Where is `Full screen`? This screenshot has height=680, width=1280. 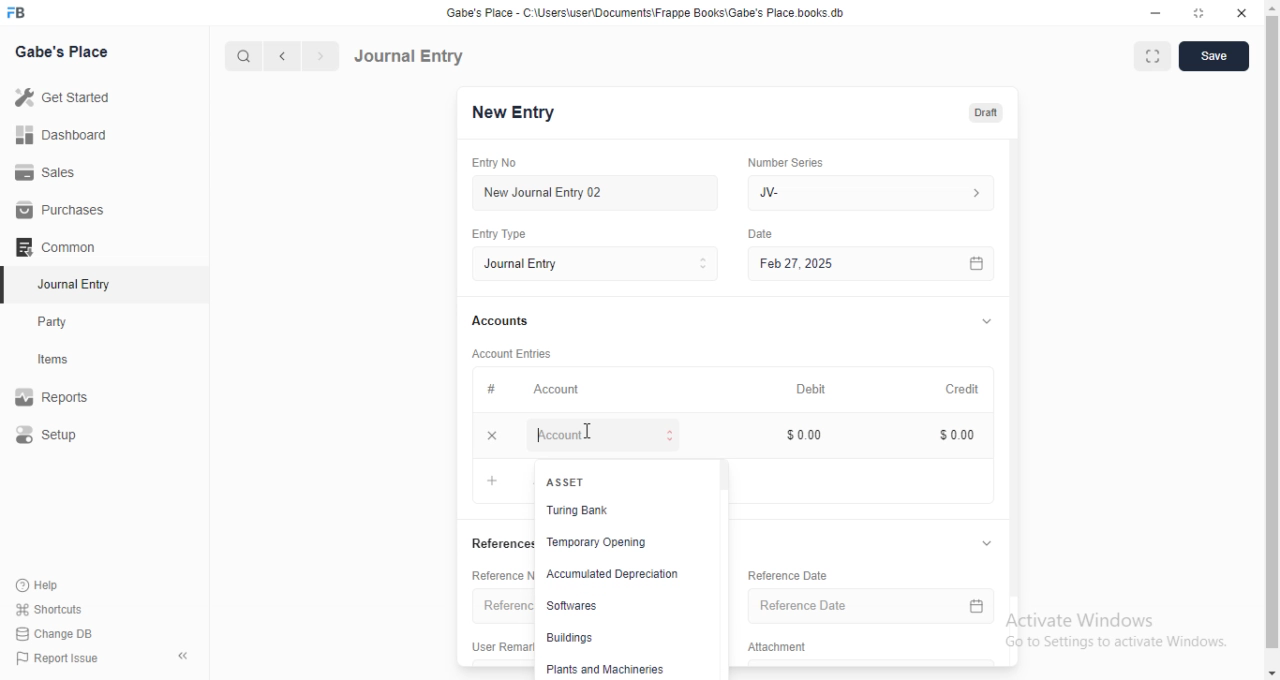 Full screen is located at coordinates (1194, 13).